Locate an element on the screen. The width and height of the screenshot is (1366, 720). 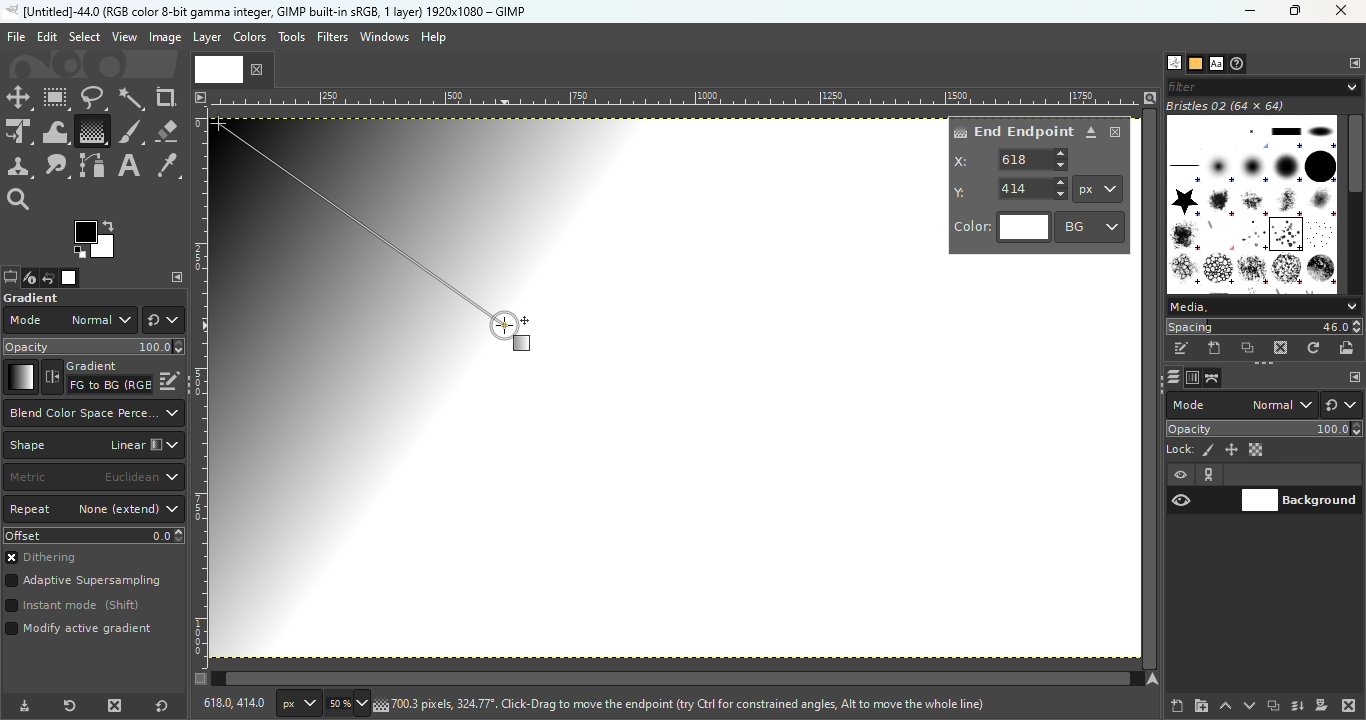
Paint brush tool is located at coordinates (130, 130).